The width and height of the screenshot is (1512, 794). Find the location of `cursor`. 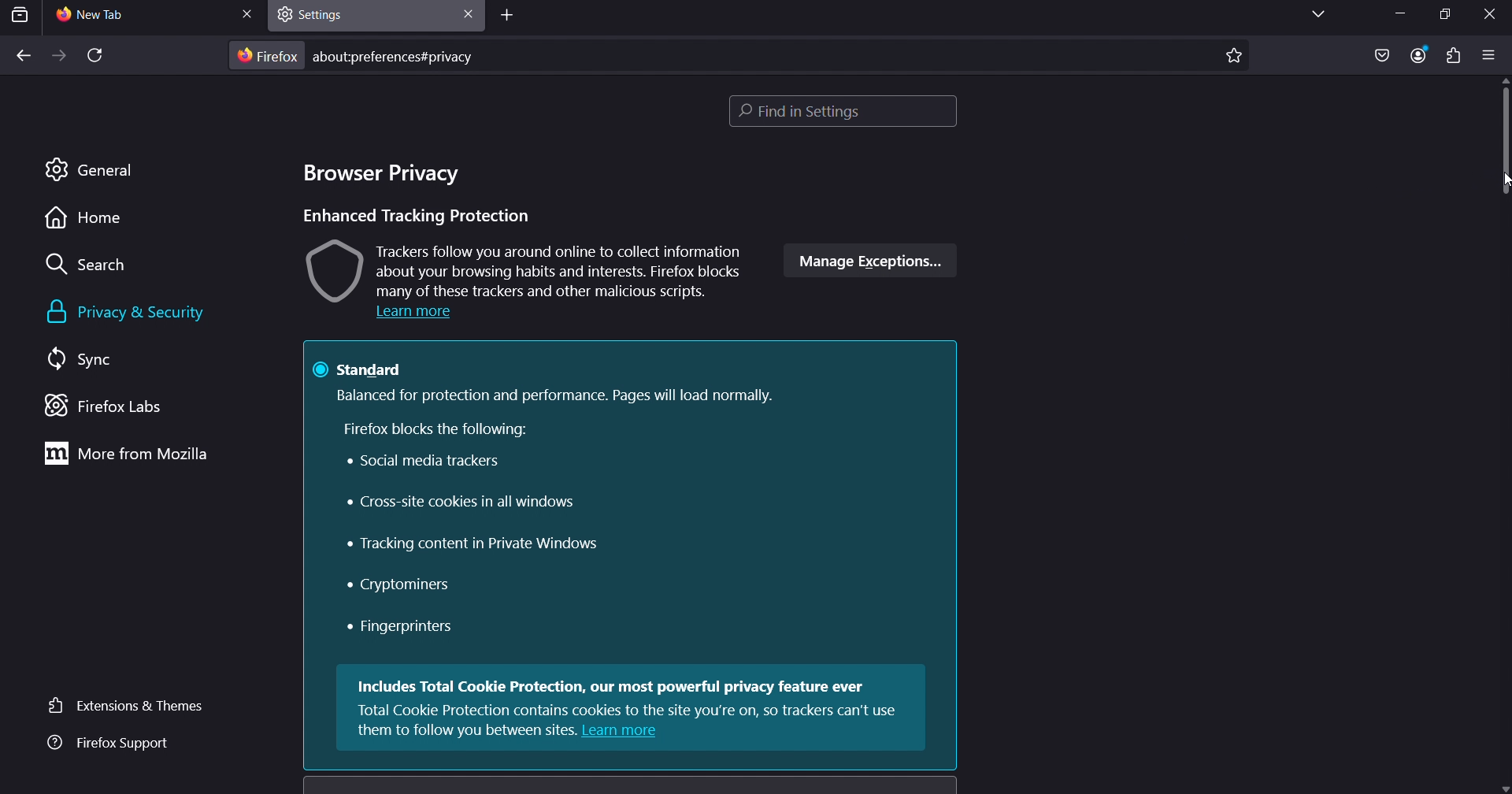

cursor is located at coordinates (1503, 181).